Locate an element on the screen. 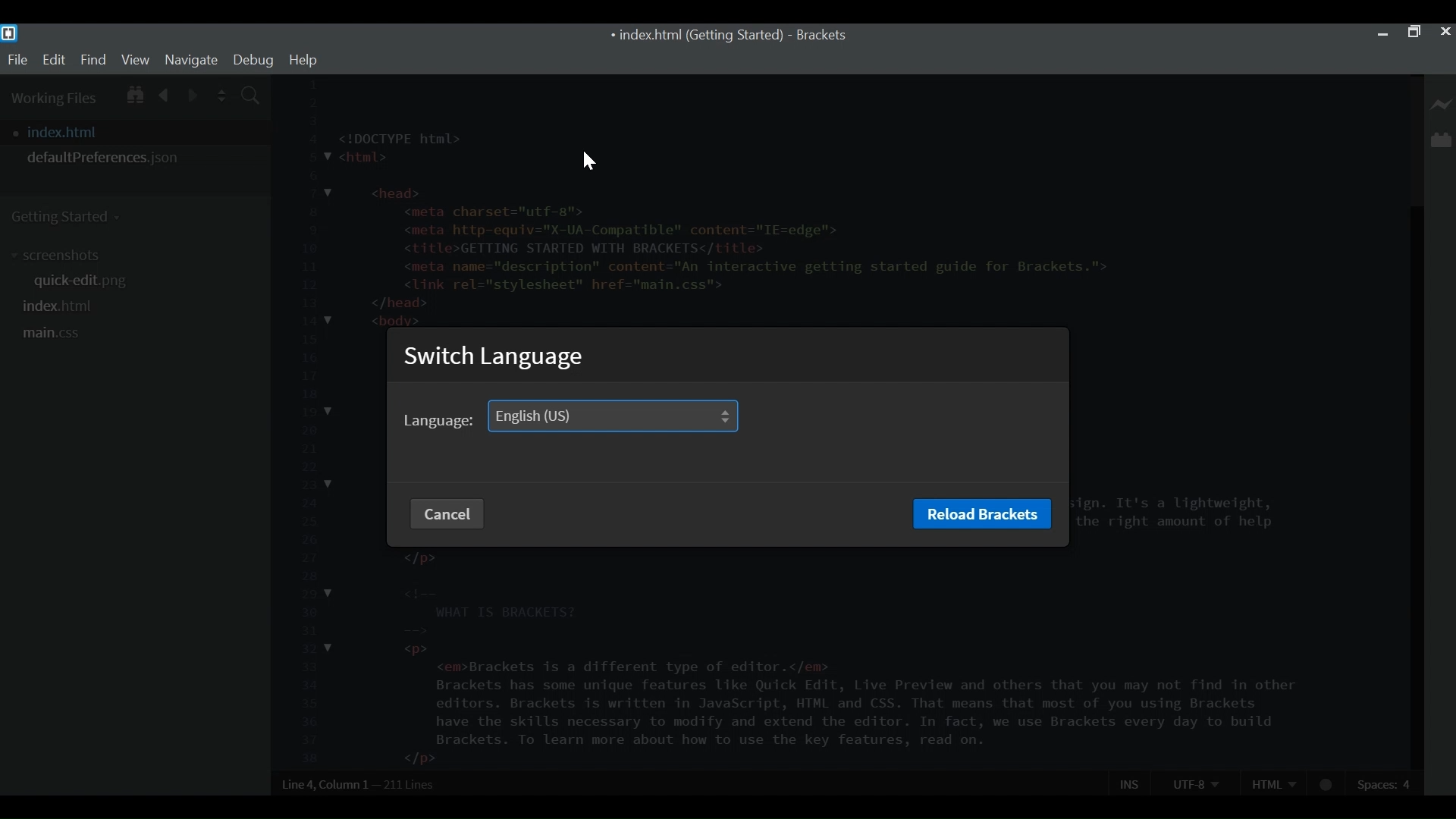  Find is located at coordinates (93, 59).